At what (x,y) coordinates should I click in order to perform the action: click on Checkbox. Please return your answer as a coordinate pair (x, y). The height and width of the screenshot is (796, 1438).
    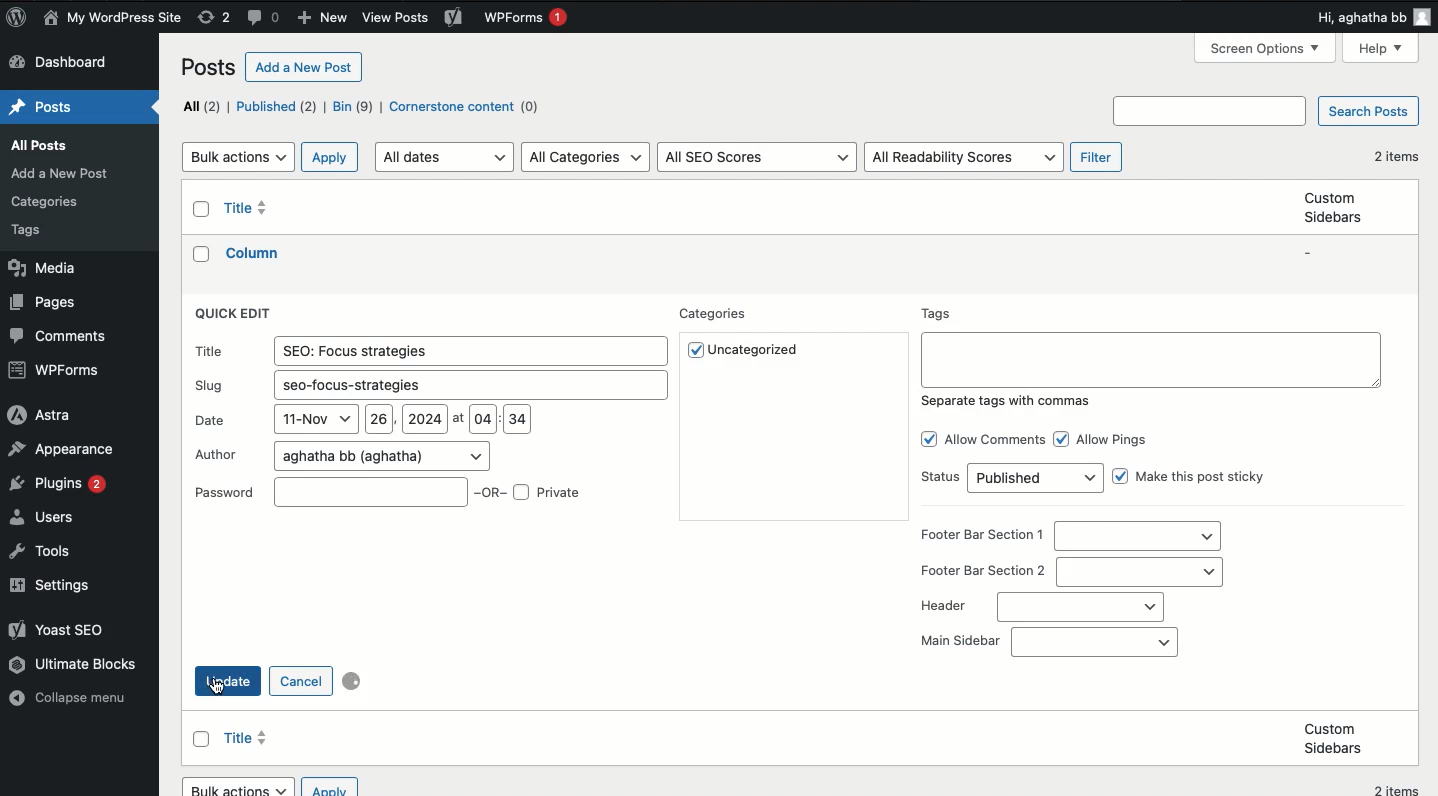
    Looking at the image, I should click on (1121, 476).